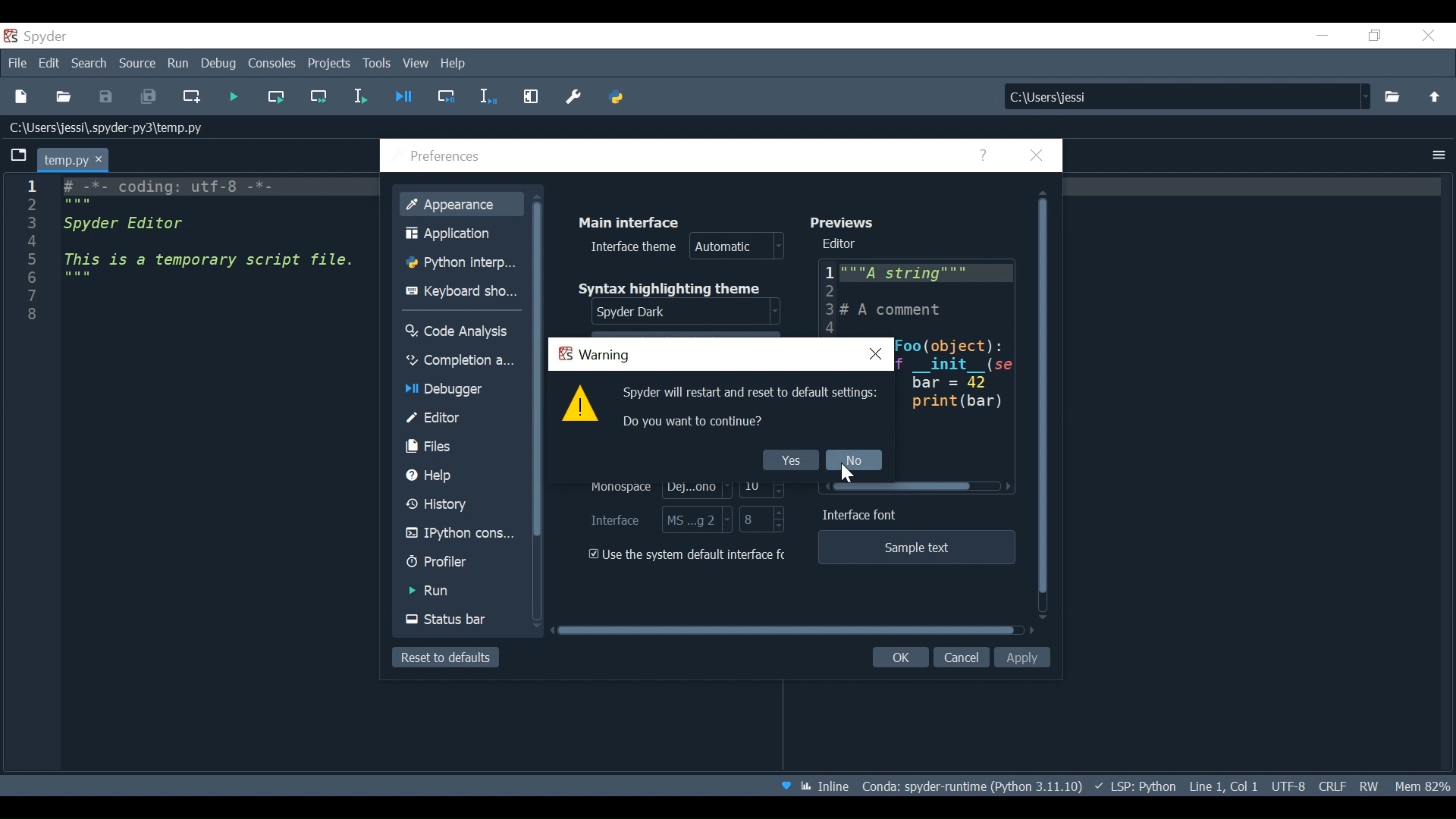  Describe the element at coordinates (461, 262) in the screenshot. I see `Python interpreter` at that location.